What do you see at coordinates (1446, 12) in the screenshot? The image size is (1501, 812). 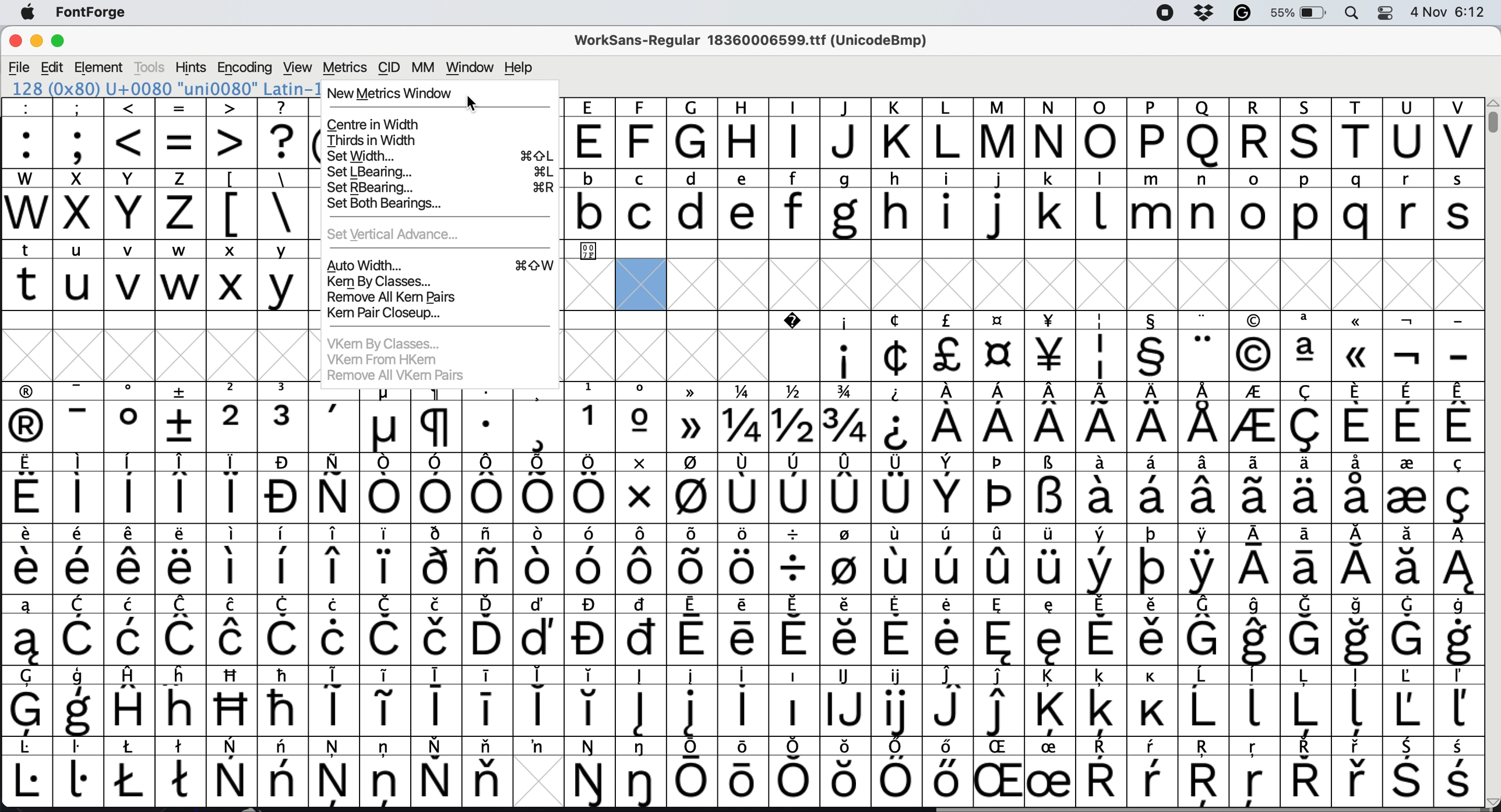 I see `4 Nov 6:12` at bounding box center [1446, 12].